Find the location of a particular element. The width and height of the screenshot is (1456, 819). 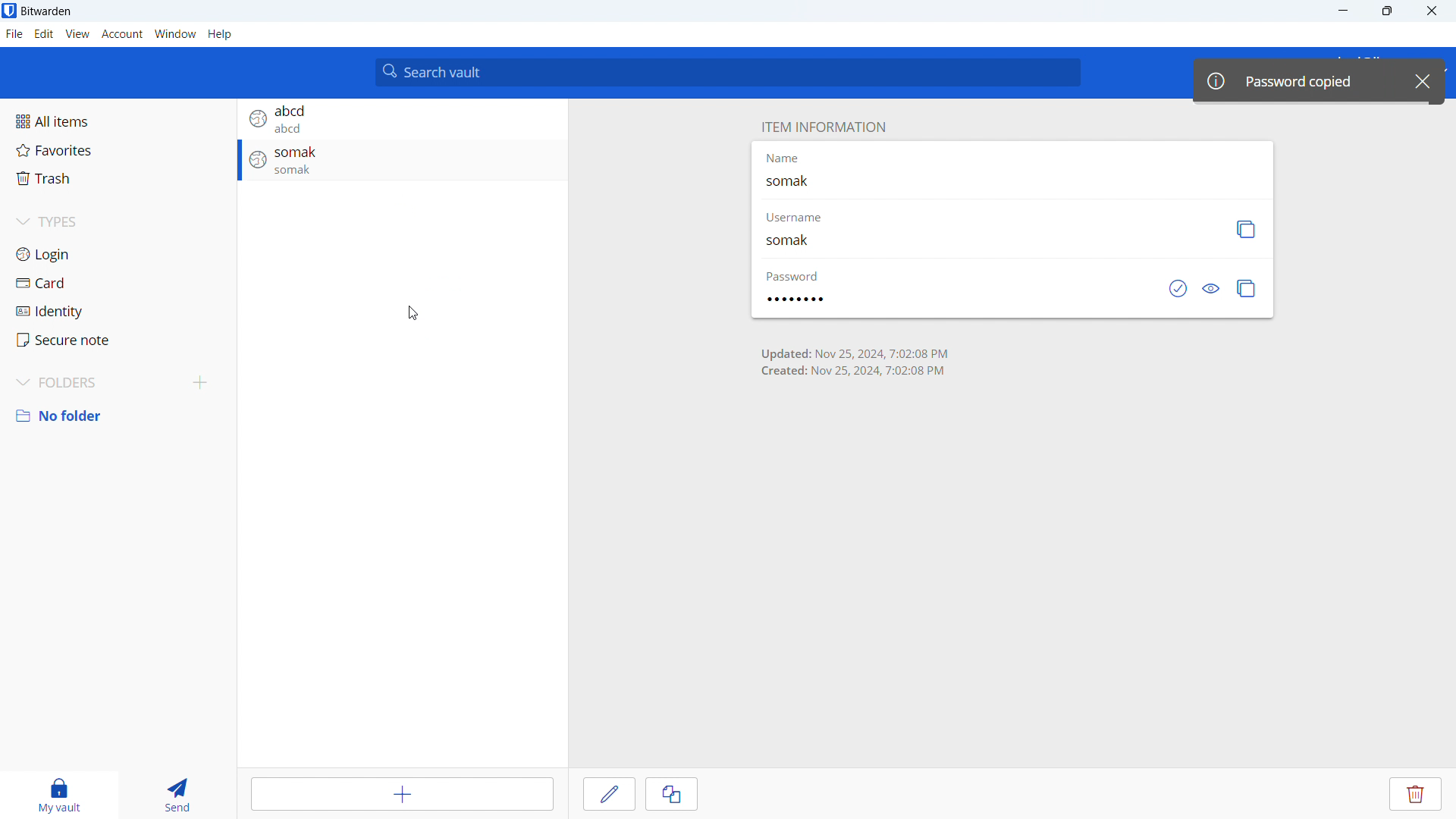

somak is located at coordinates (800, 243).